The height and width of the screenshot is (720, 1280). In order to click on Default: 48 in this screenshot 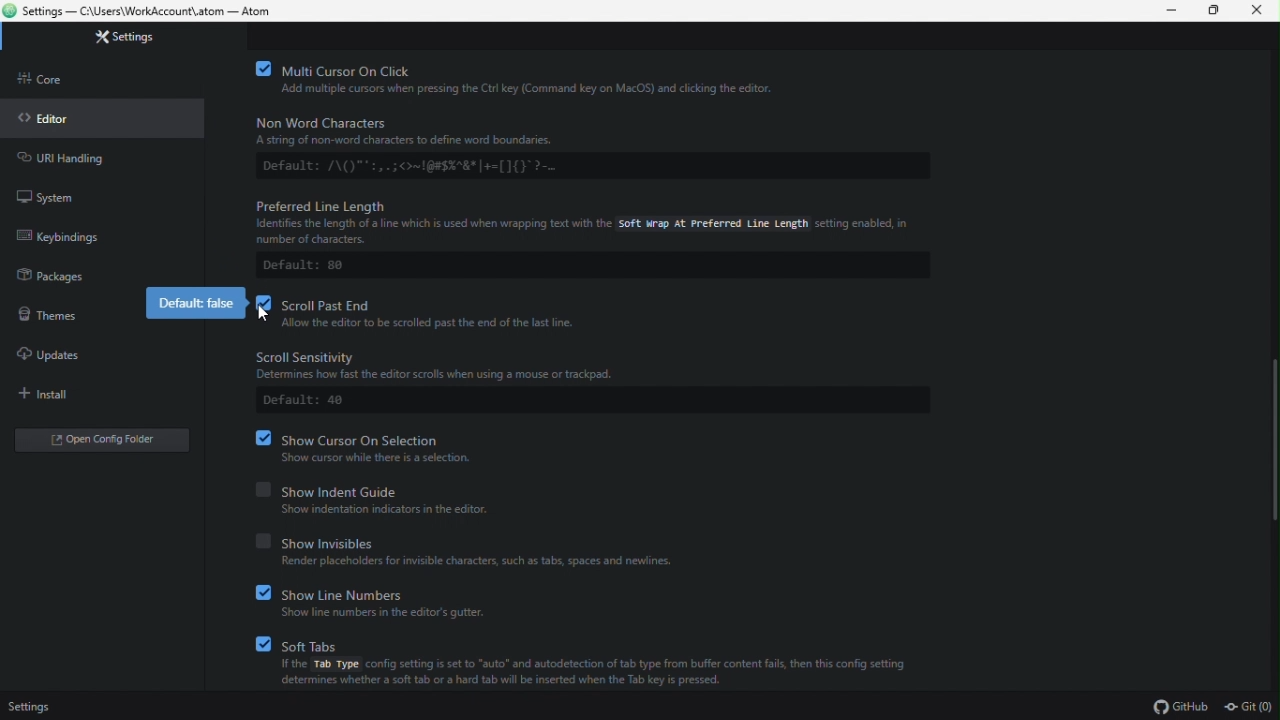, I will do `click(305, 401)`.